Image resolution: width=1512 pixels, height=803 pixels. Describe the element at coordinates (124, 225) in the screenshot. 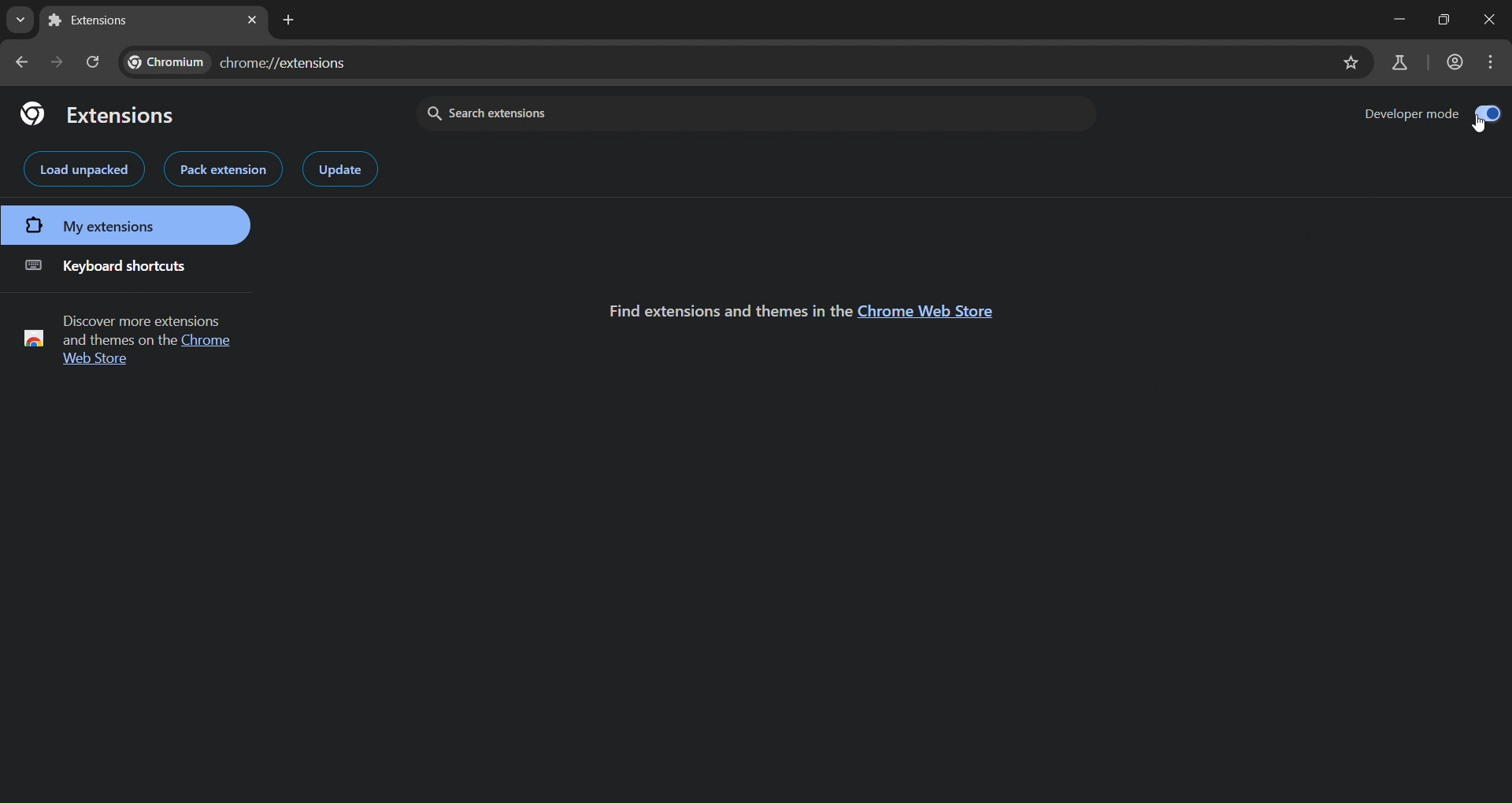

I see `my extensions` at that location.